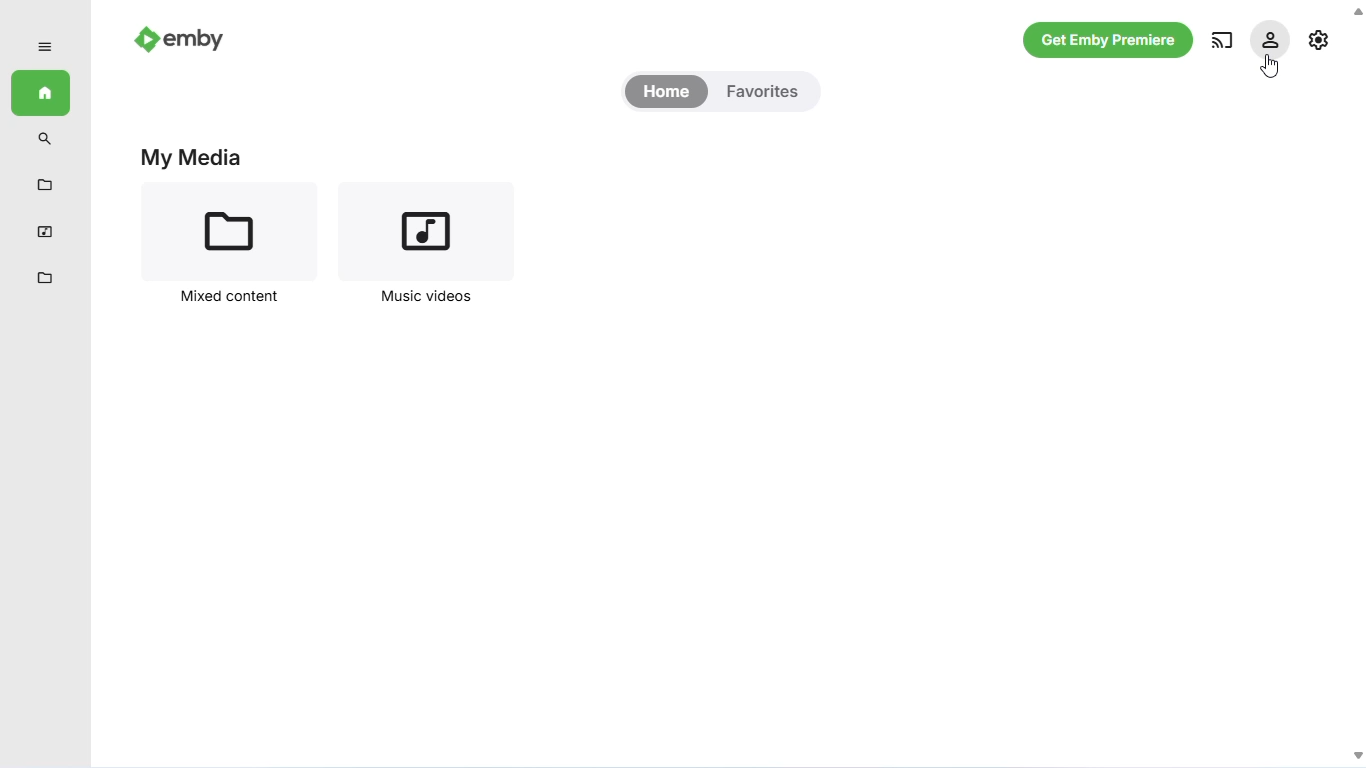  Describe the element at coordinates (45, 279) in the screenshot. I see `metadata manager` at that location.